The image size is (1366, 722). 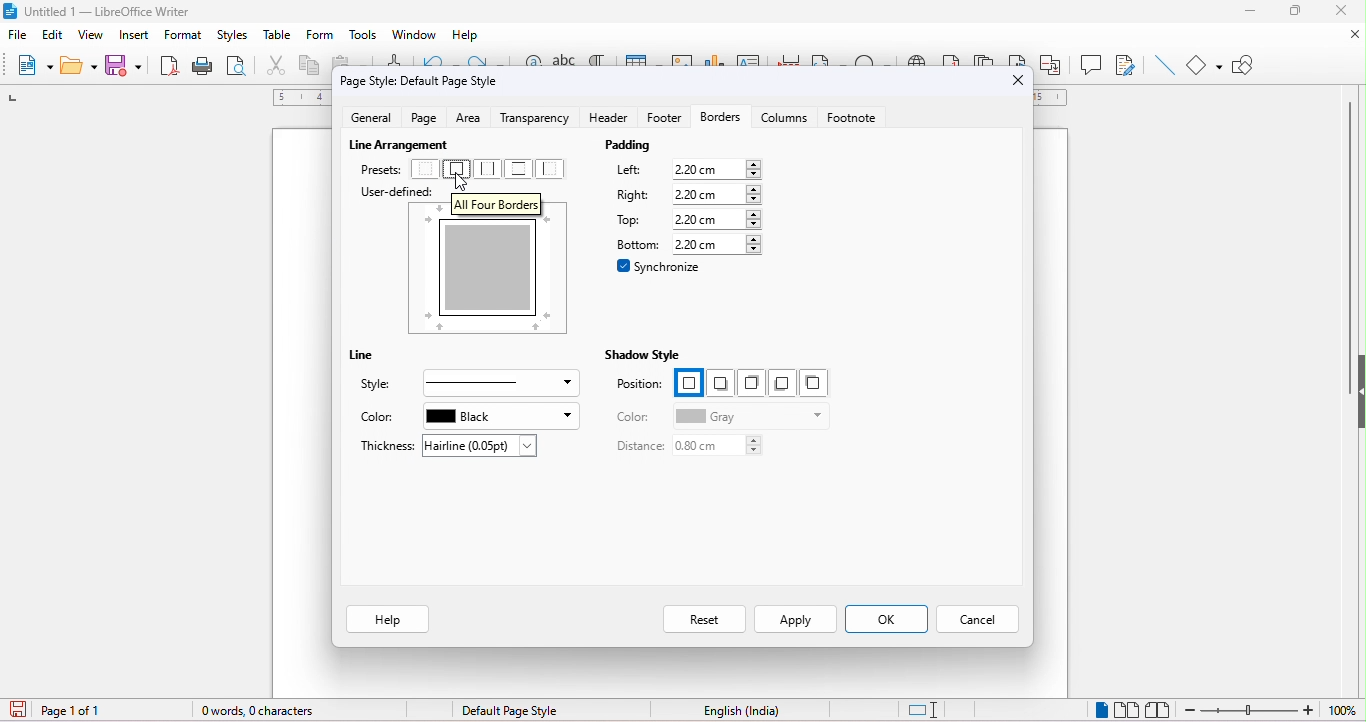 What do you see at coordinates (672, 147) in the screenshot?
I see `padding` at bounding box center [672, 147].